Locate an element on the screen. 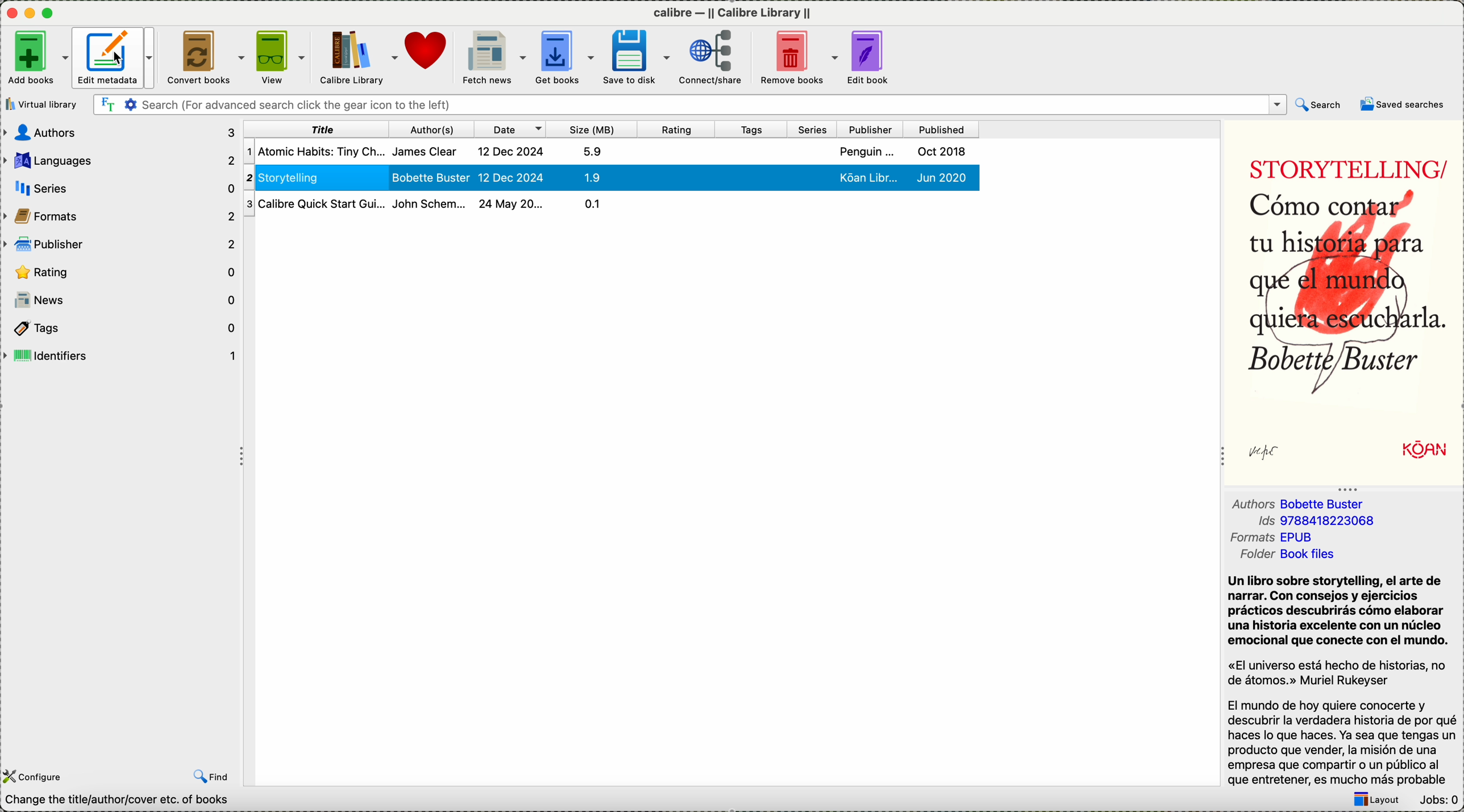 The width and height of the screenshot is (1464, 812). authors is located at coordinates (1295, 502).